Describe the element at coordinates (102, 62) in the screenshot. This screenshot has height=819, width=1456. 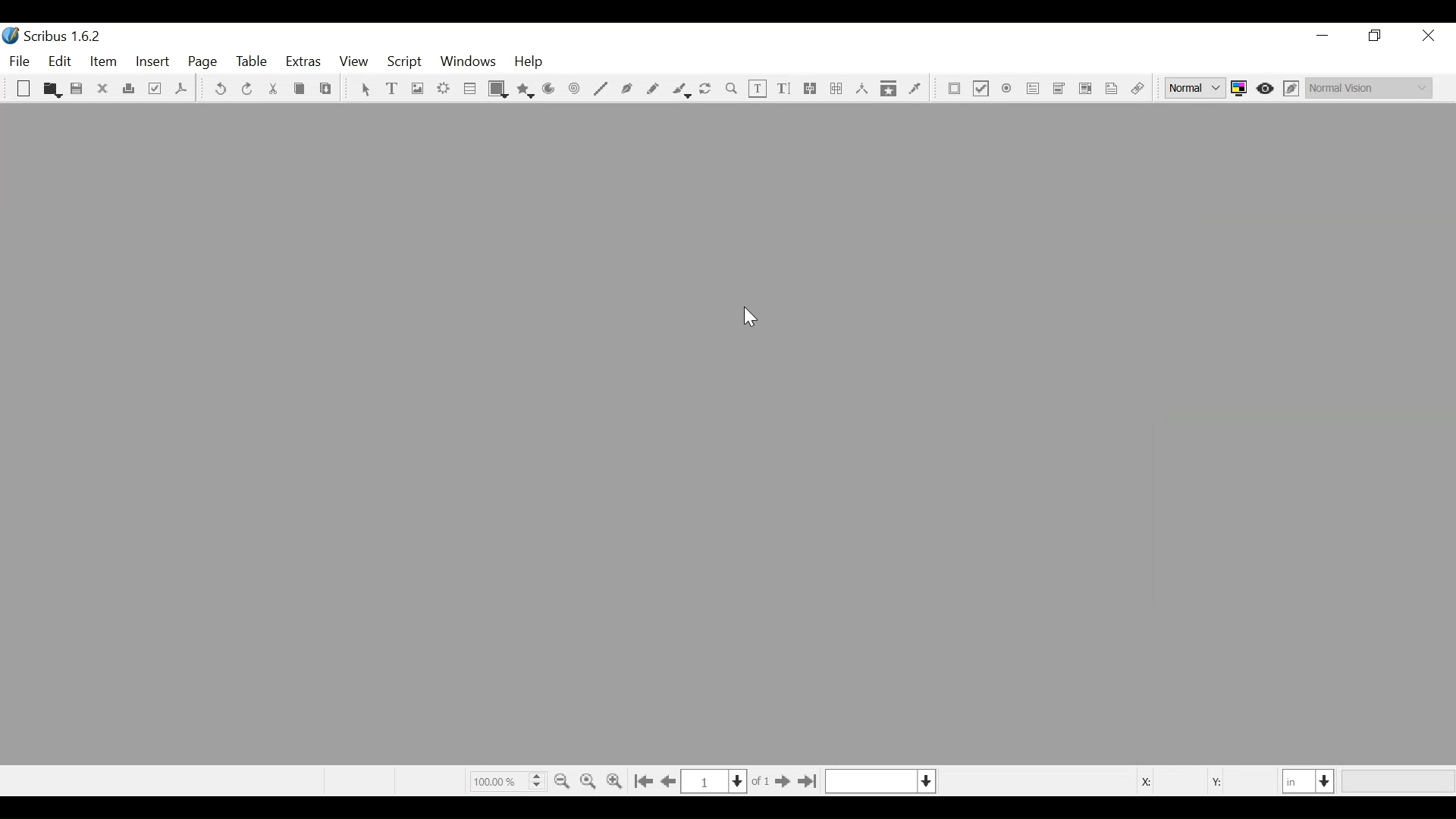
I see `Item` at that location.